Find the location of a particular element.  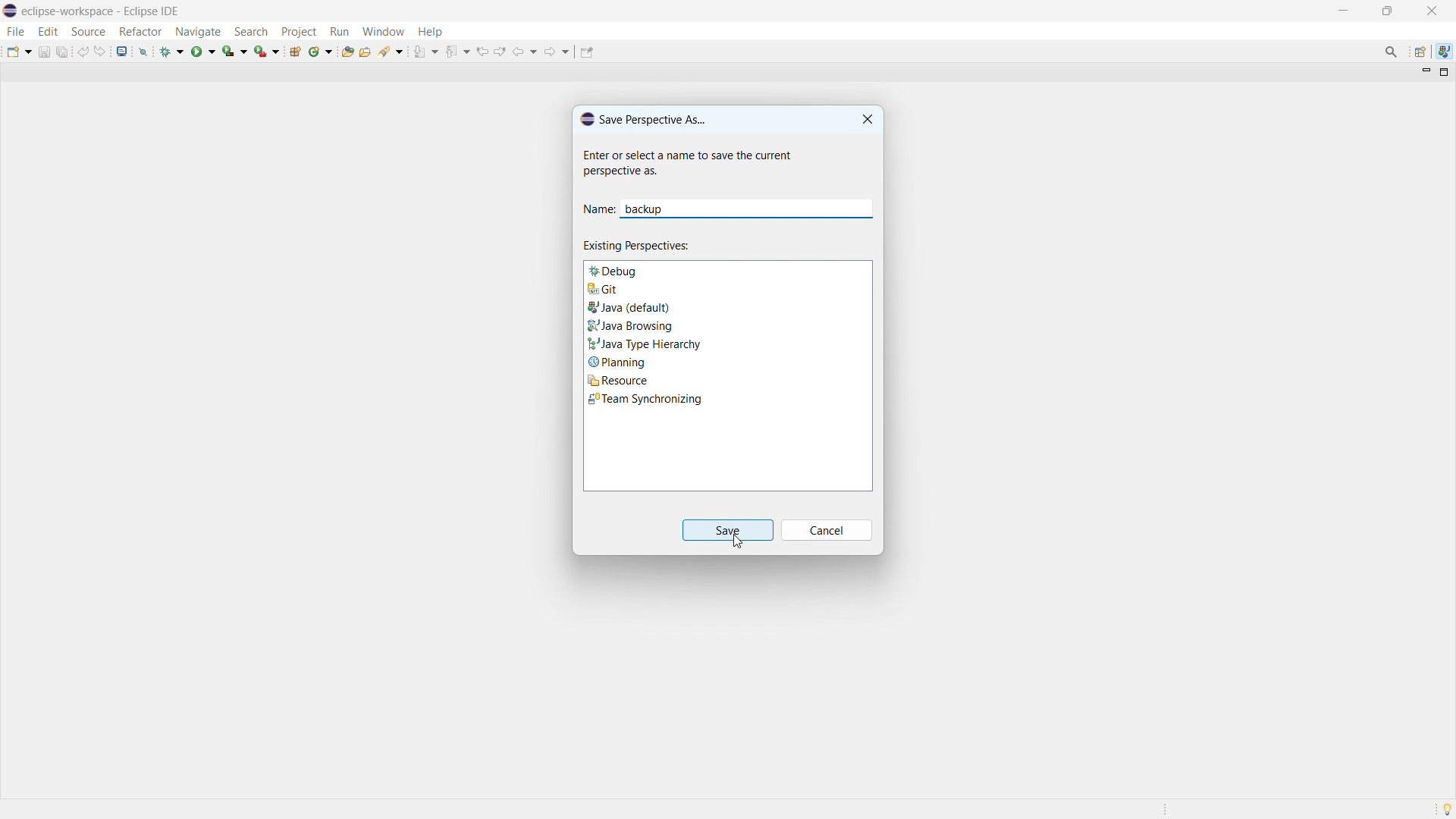

previous annotation is located at coordinates (457, 54).